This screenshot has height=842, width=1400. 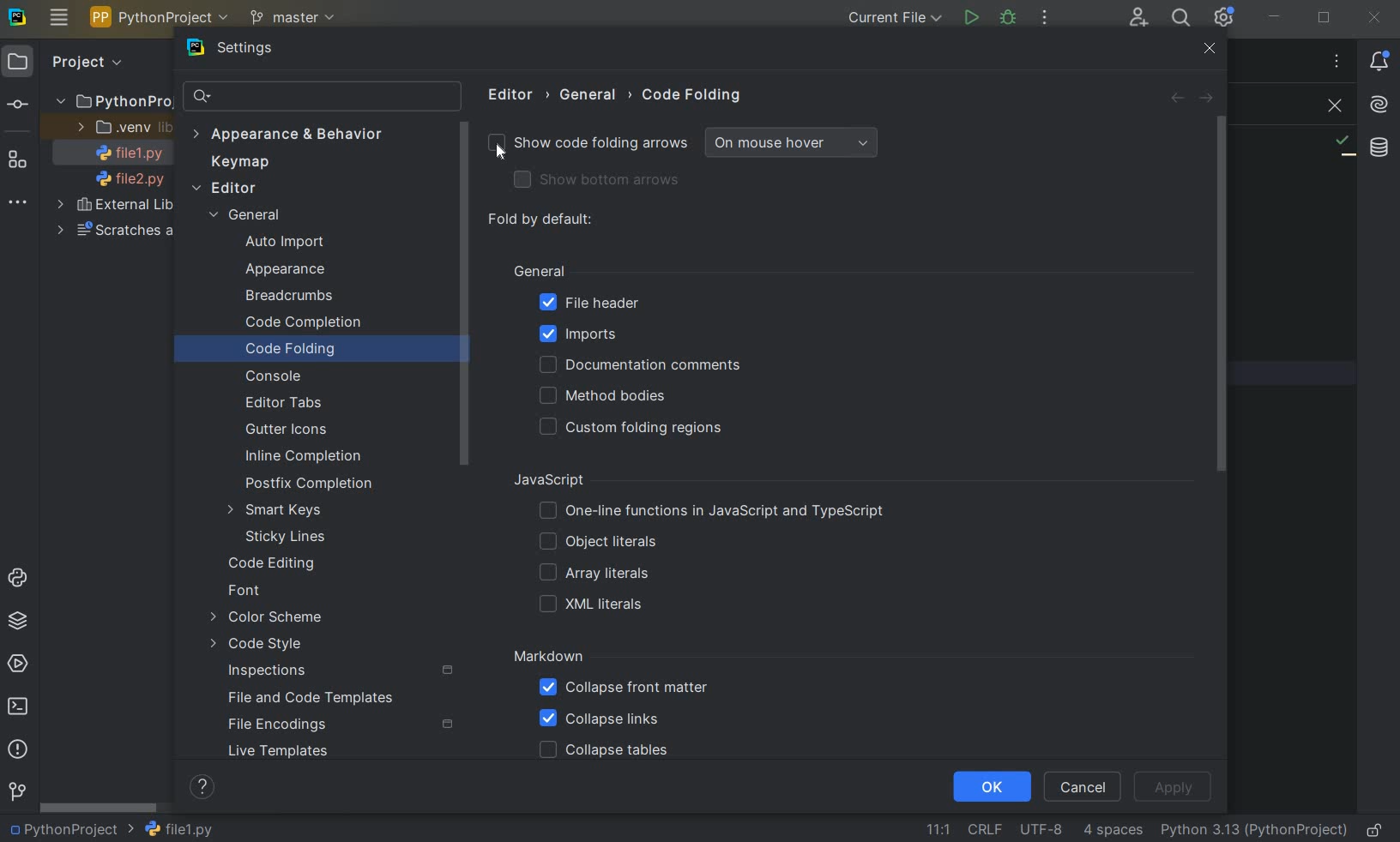 I want to click on SMART KEYS, so click(x=279, y=511).